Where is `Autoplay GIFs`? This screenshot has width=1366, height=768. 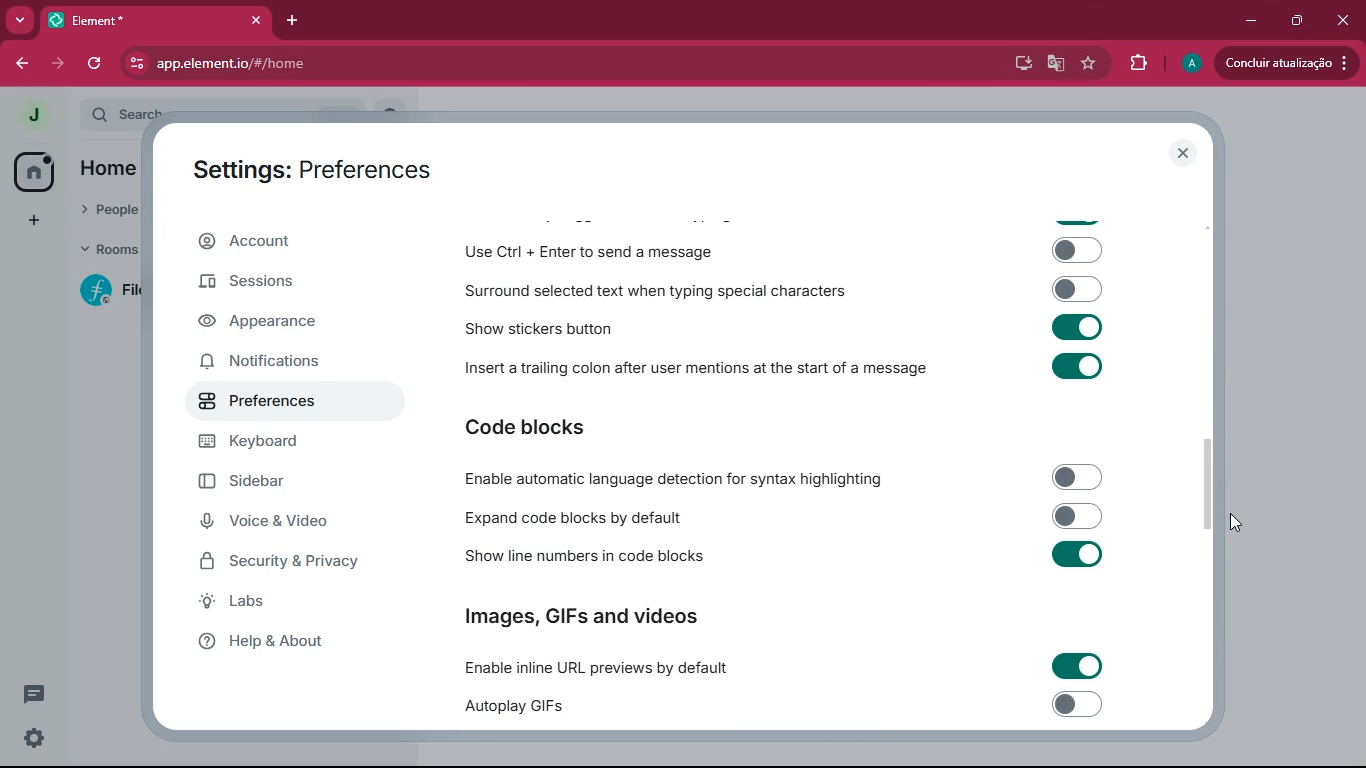
Autoplay GIFs is located at coordinates (791, 707).